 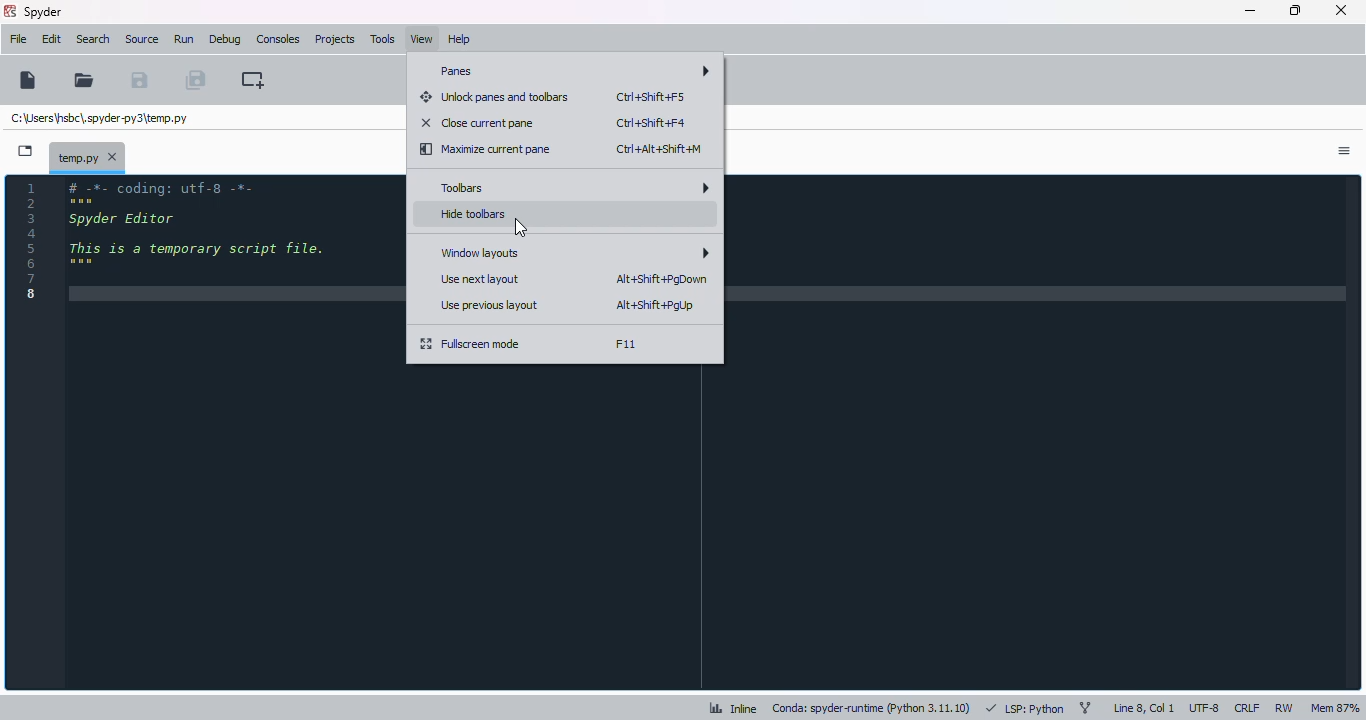 I want to click on hide toolbars, so click(x=475, y=214).